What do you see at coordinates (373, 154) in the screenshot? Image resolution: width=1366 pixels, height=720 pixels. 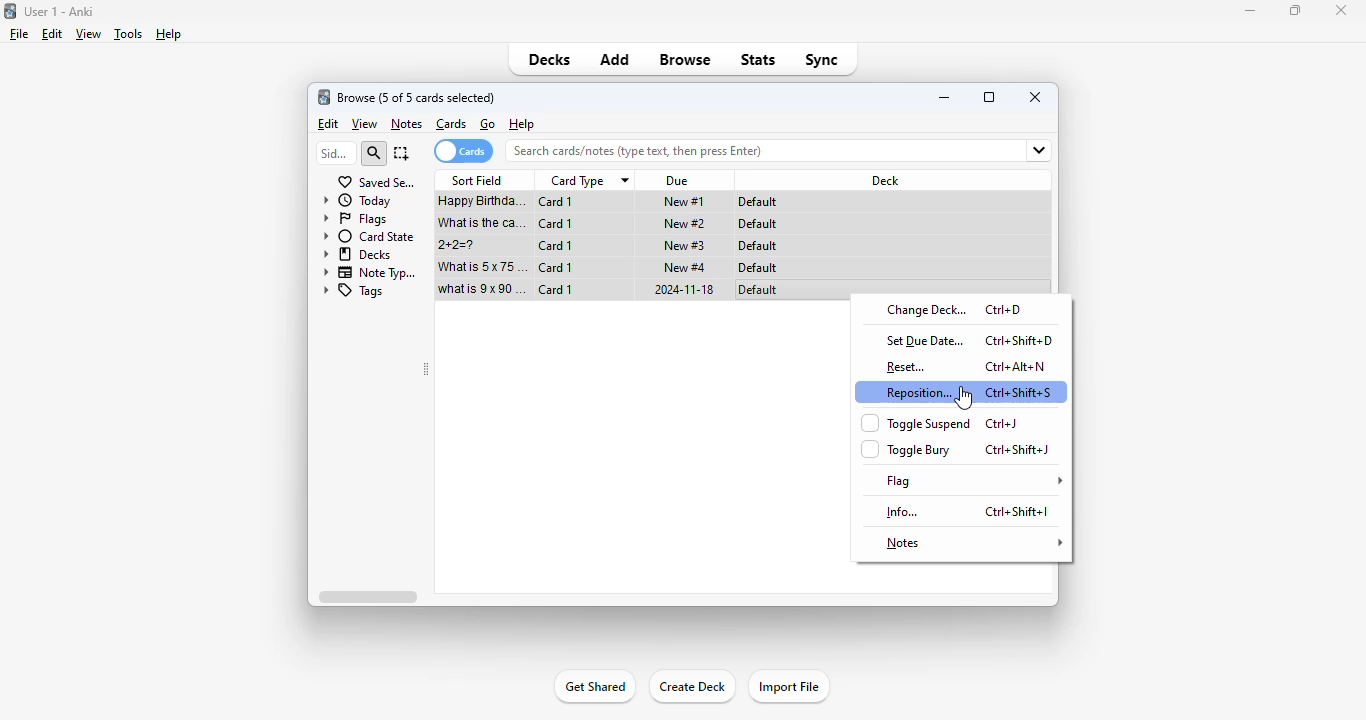 I see `search` at bounding box center [373, 154].